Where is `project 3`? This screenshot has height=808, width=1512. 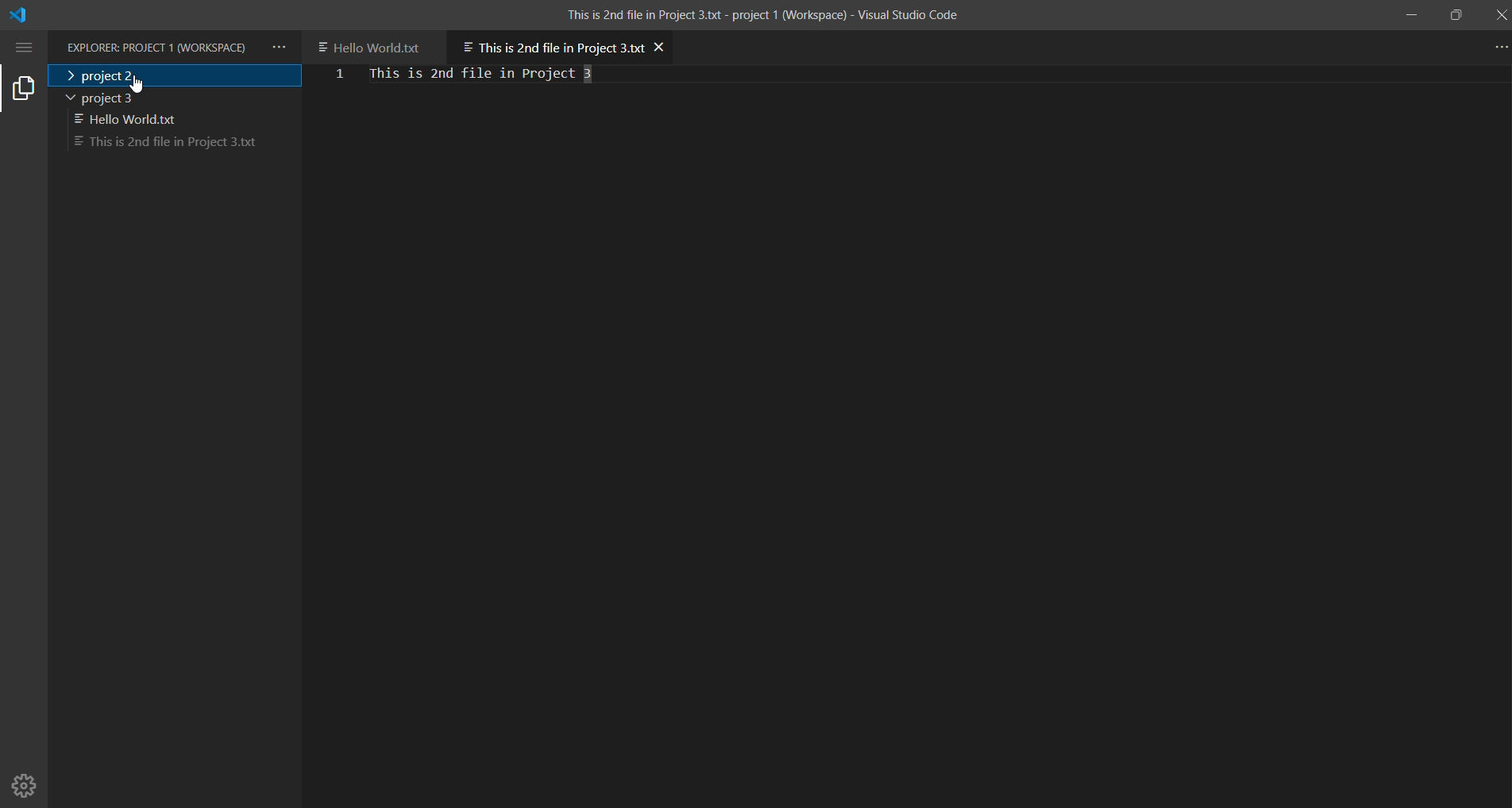
project 3 is located at coordinates (133, 121).